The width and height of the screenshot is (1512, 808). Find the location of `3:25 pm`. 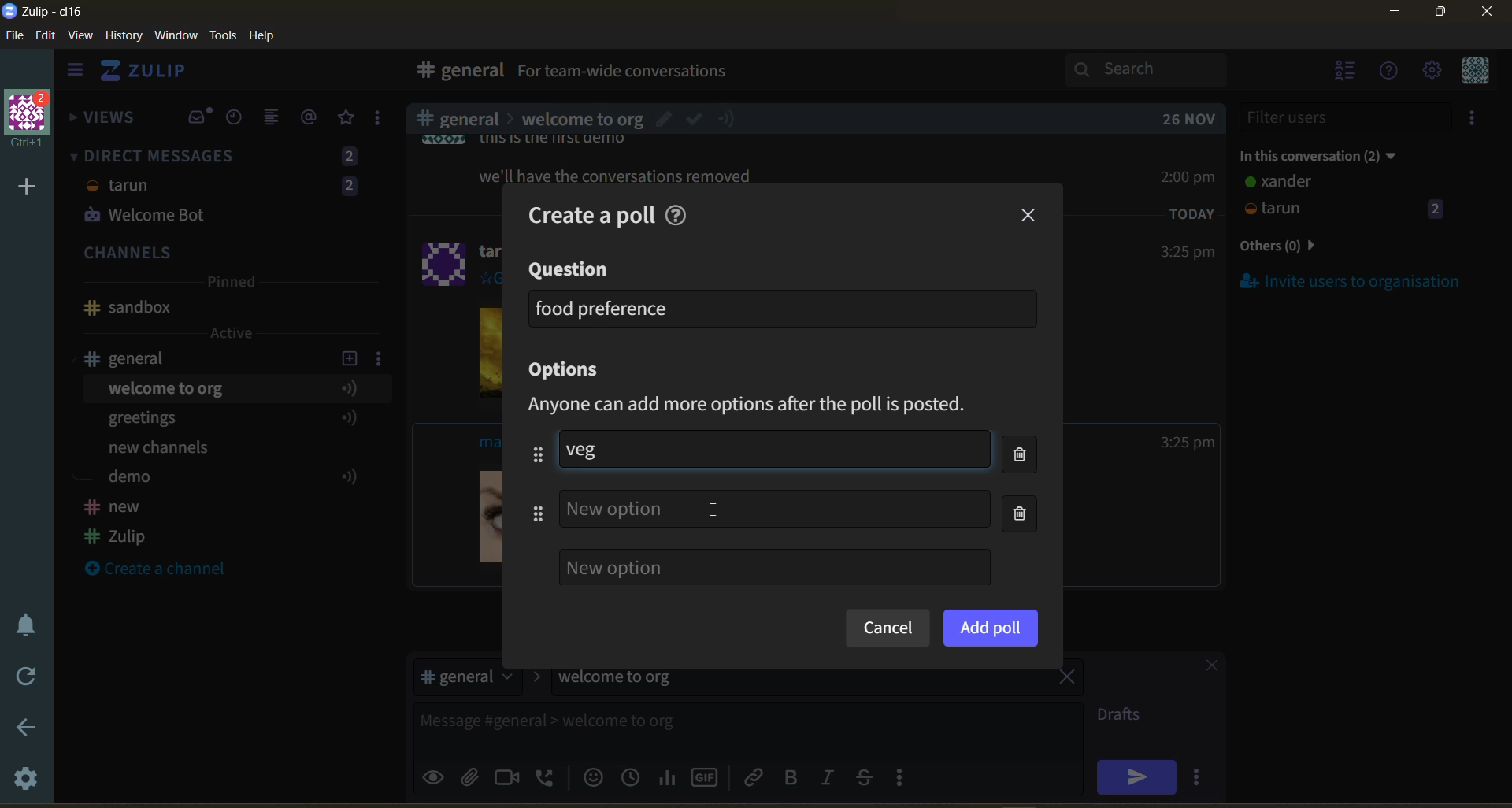

3:25 pm is located at coordinates (1186, 253).